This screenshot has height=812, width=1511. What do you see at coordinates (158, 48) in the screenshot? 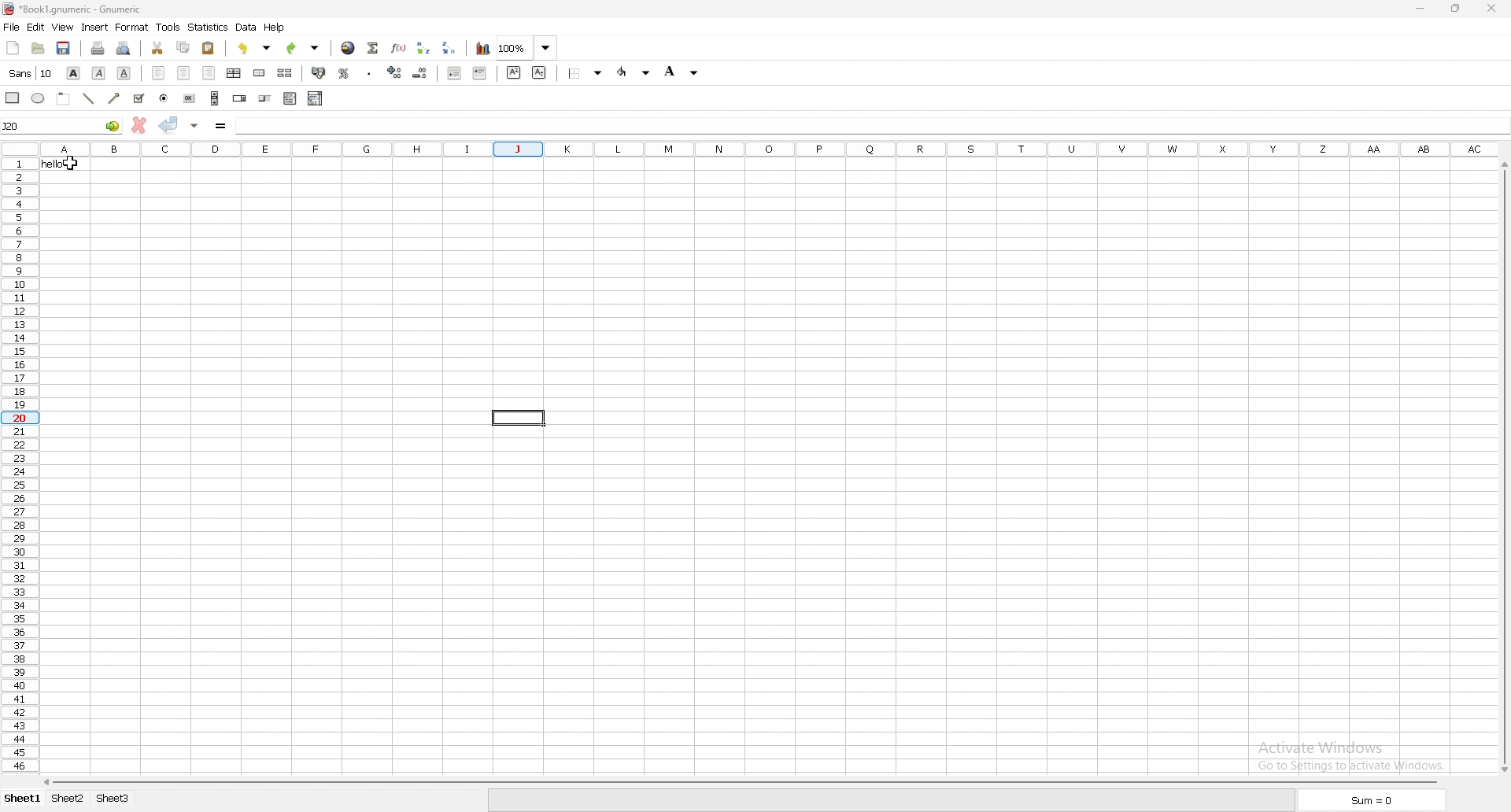
I see `cut` at bounding box center [158, 48].